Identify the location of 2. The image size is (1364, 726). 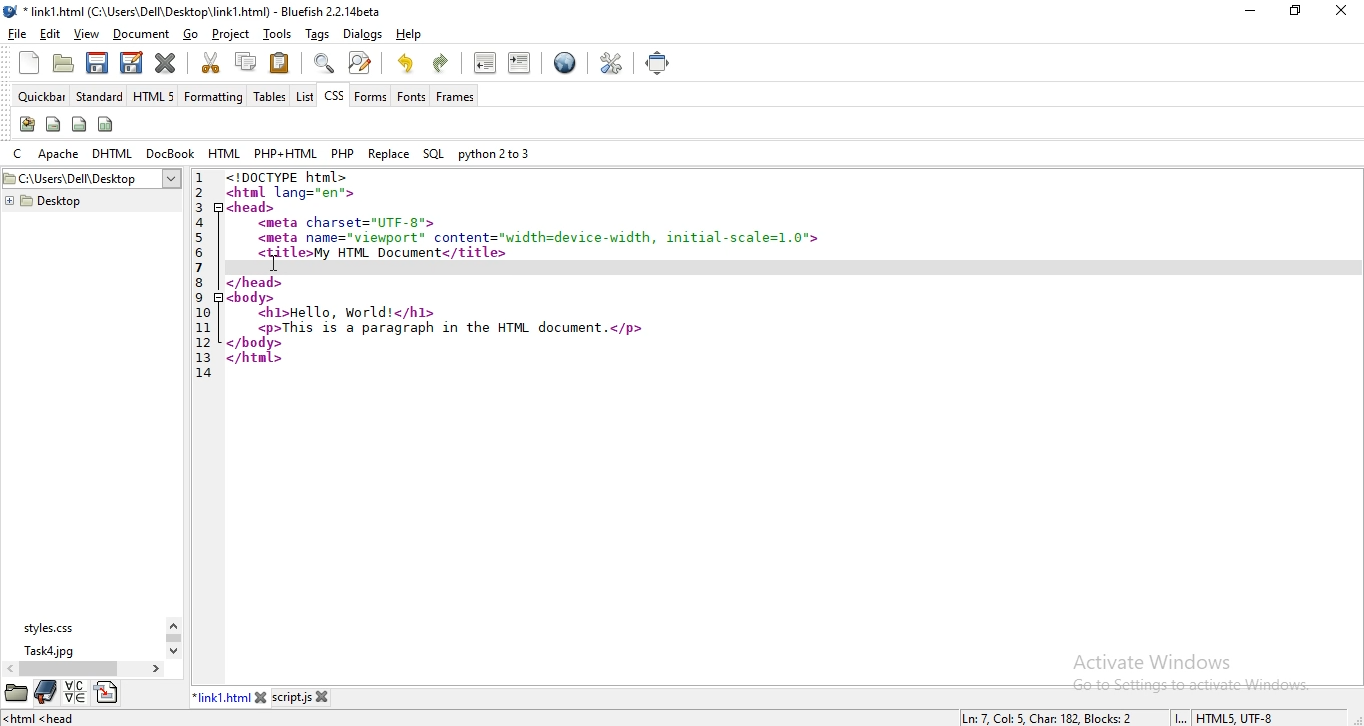
(199, 193).